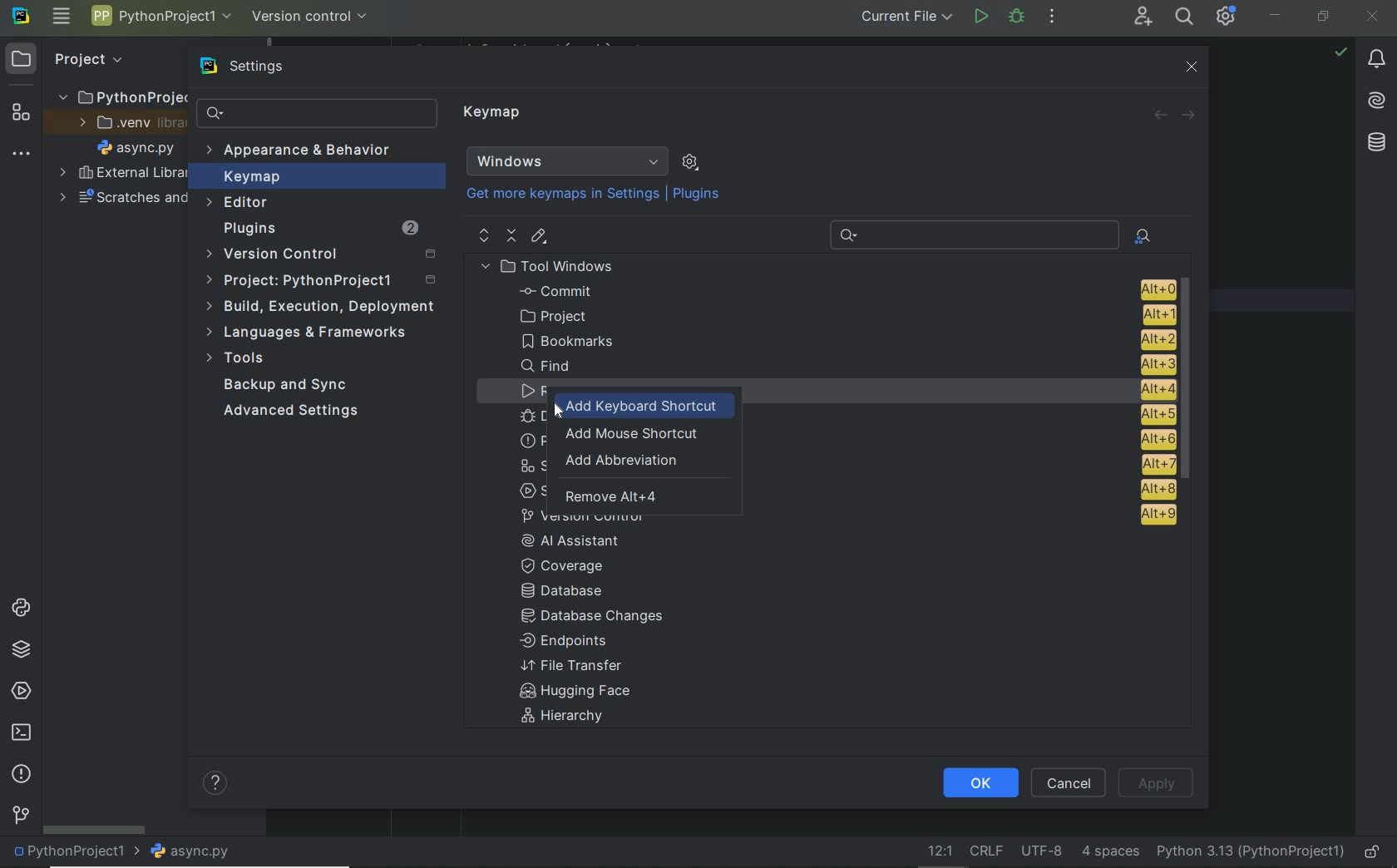 The width and height of the screenshot is (1397, 868). I want to click on back, so click(1161, 116).